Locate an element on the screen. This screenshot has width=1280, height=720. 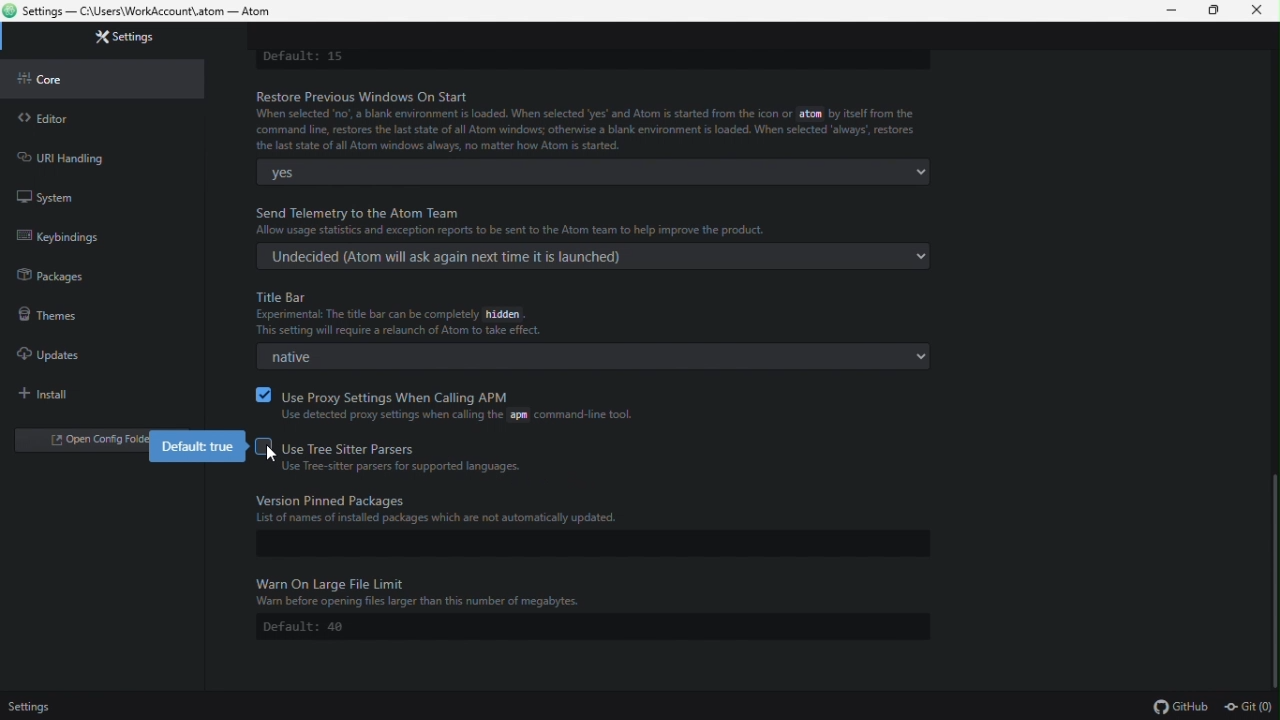
default 15 is located at coordinates (306, 57).